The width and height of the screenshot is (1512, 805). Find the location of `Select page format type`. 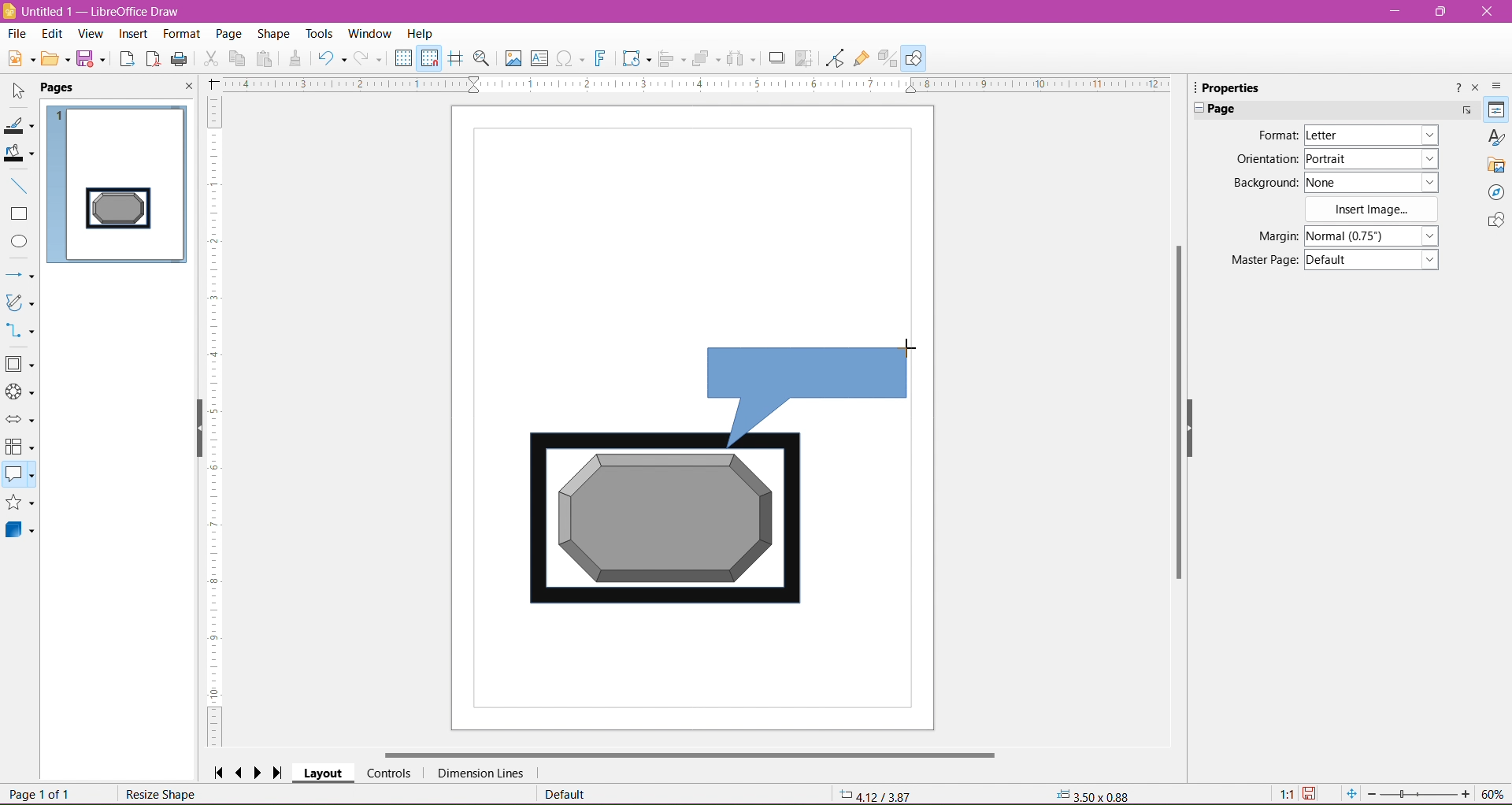

Select page format type is located at coordinates (1369, 135).